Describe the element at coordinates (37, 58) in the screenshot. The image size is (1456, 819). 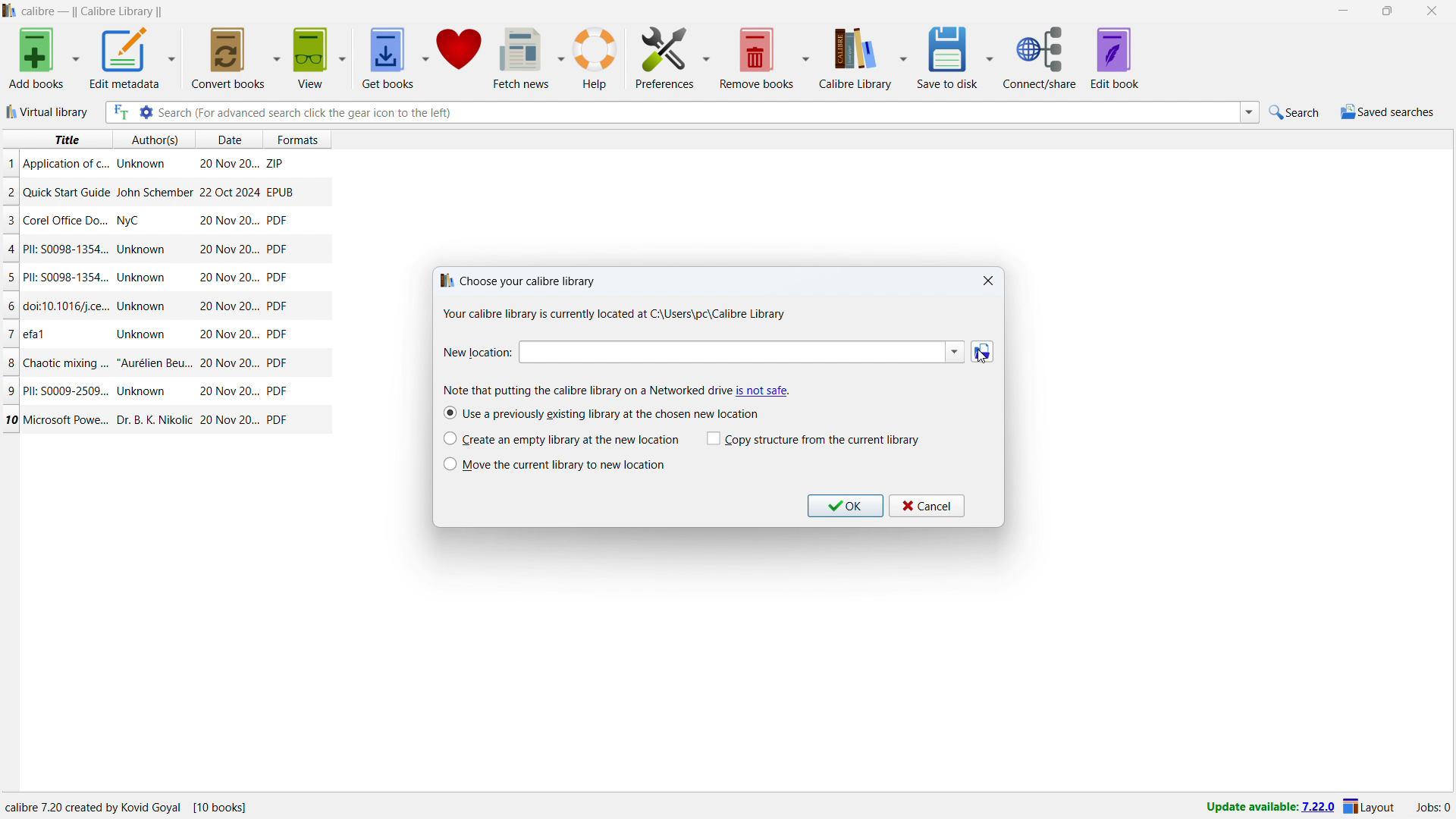
I see `add books` at that location.